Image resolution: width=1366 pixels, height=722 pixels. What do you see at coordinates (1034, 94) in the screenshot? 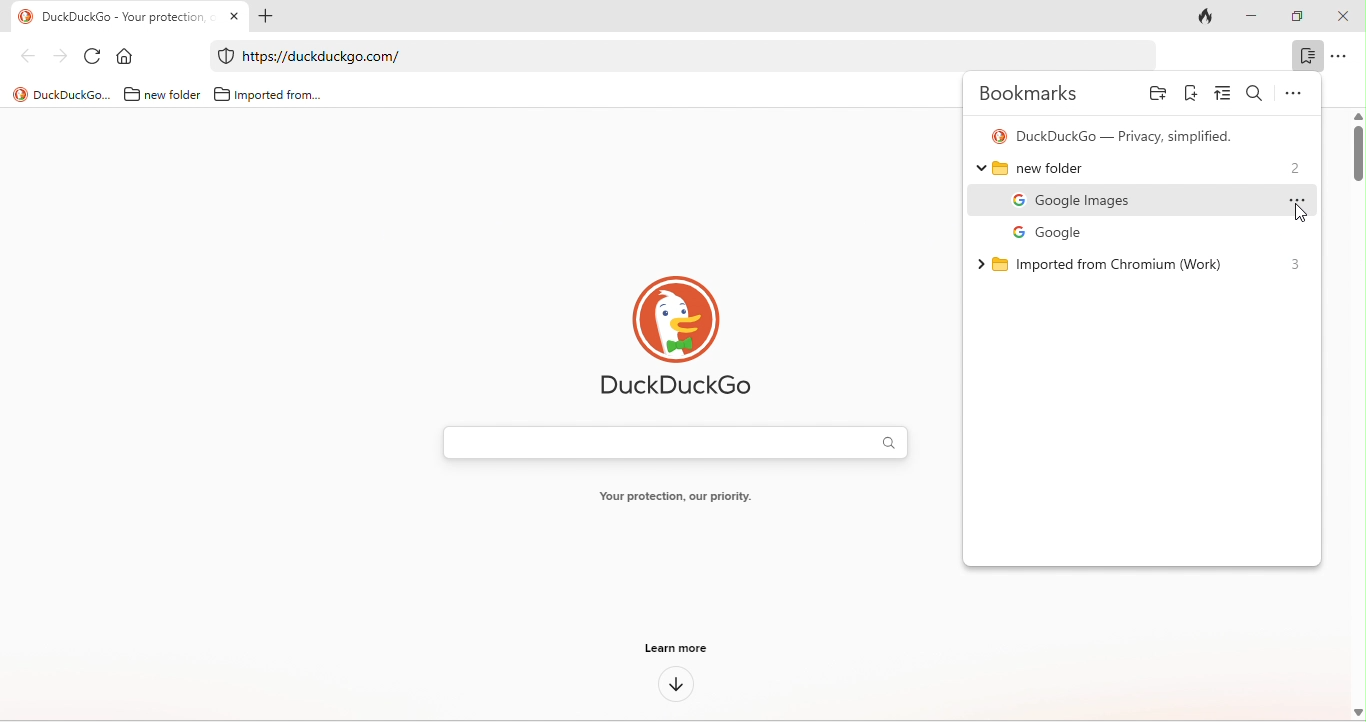
I see `bookmarks` at bounding box center [1034, 94].